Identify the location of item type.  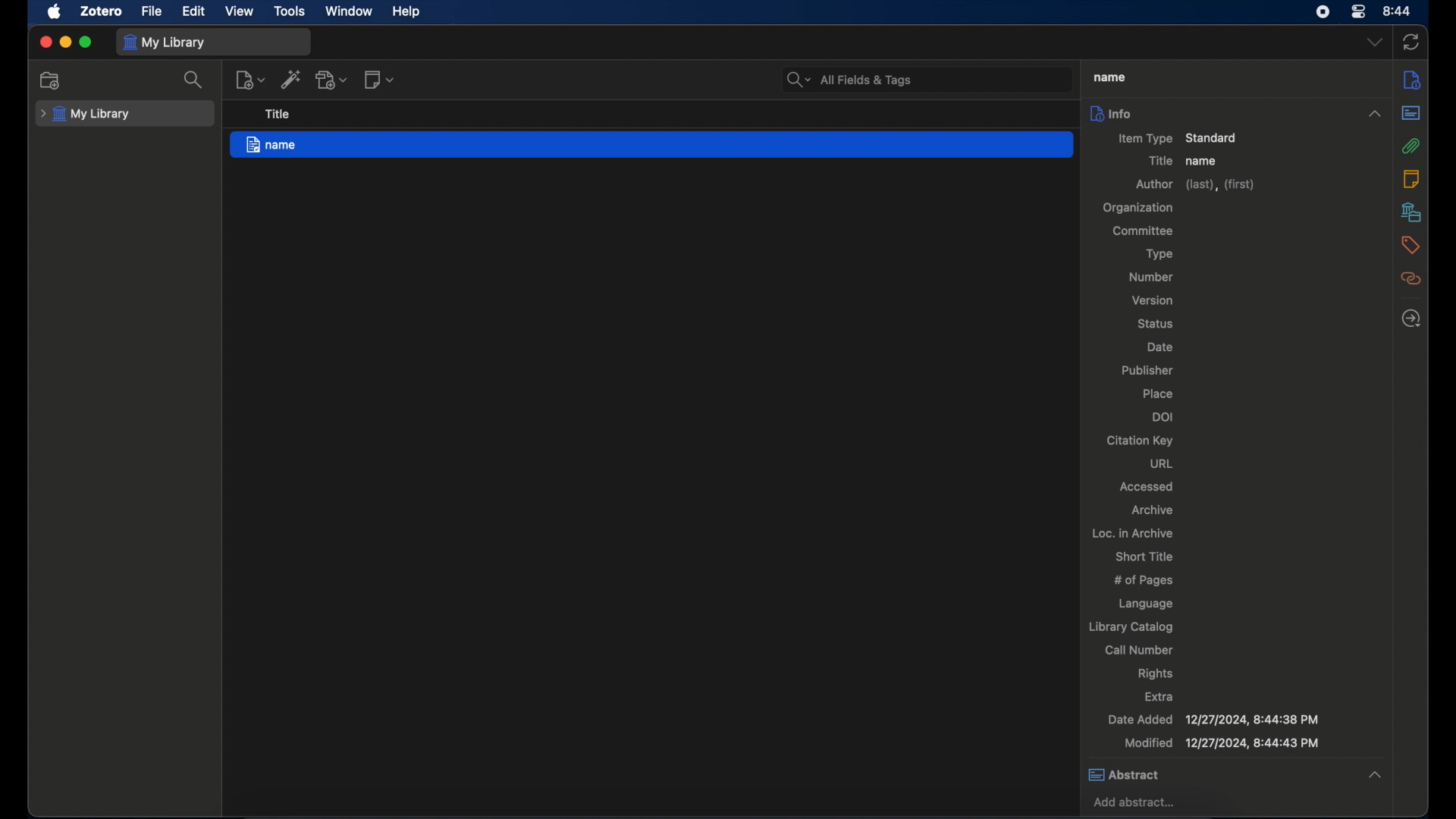
(1177, 137).